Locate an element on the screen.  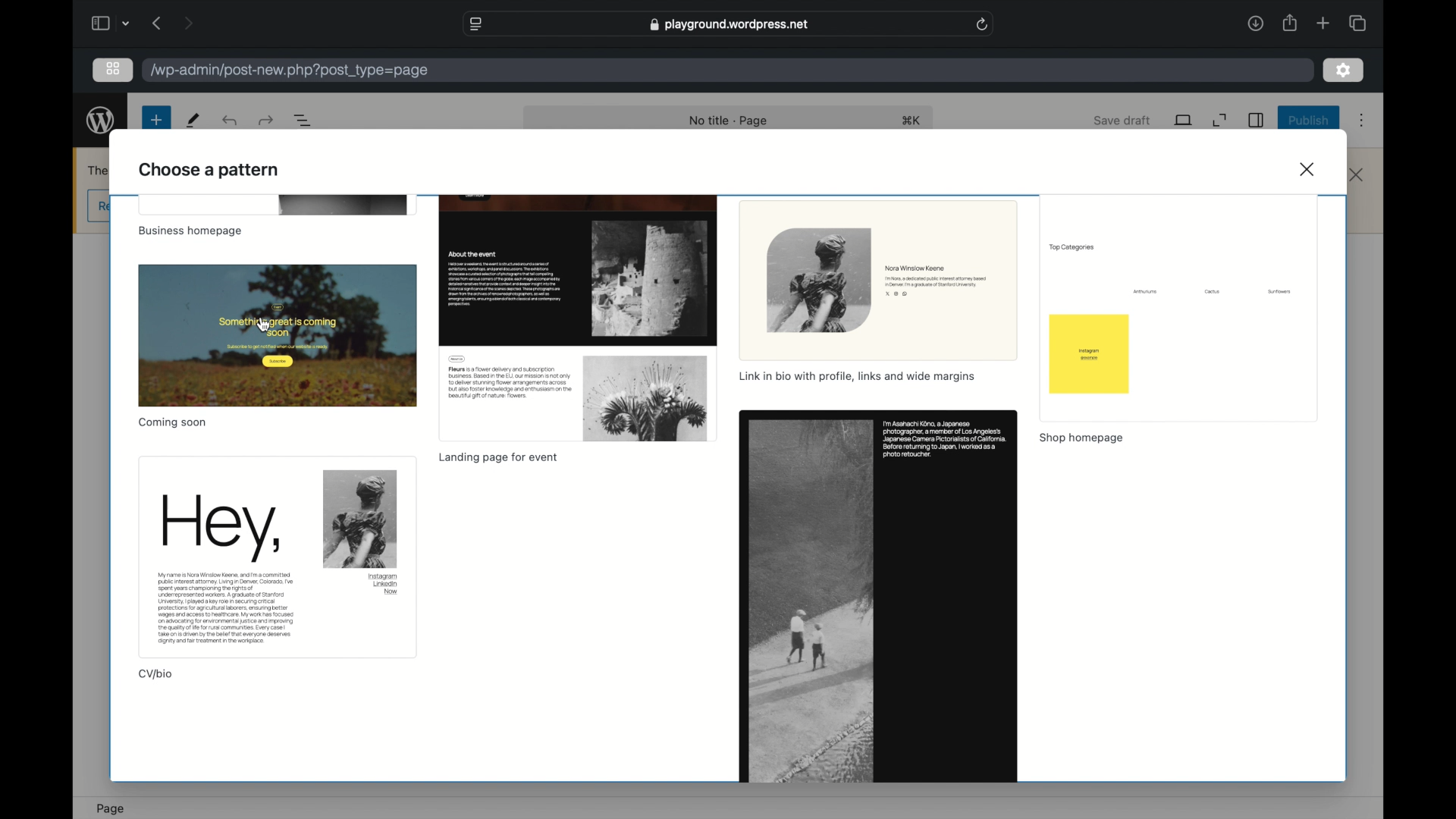
business homepage is located at coordinates (192, 232).